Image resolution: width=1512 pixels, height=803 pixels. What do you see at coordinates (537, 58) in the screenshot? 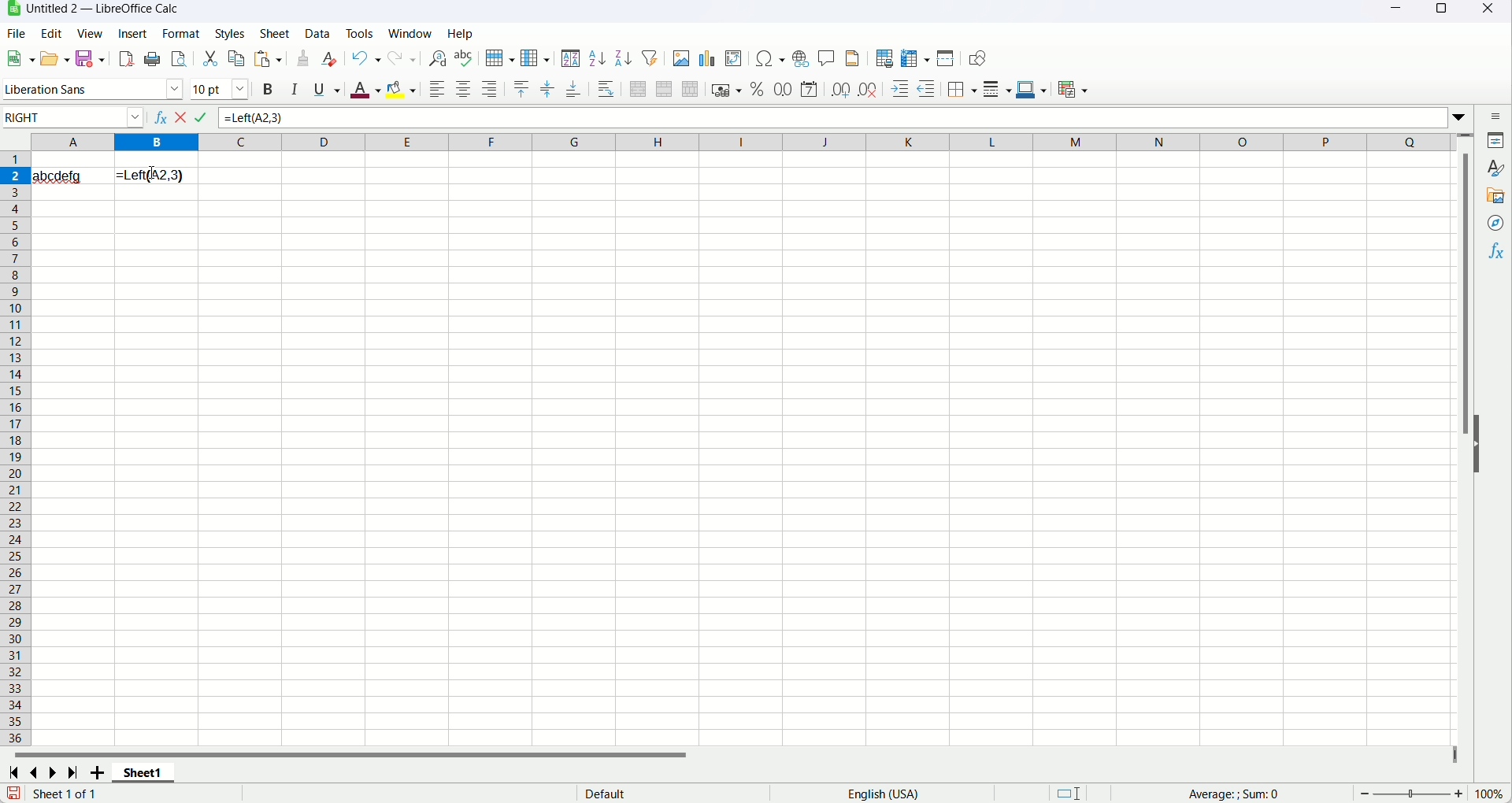
I see `column` at bounding box center [537, 58].